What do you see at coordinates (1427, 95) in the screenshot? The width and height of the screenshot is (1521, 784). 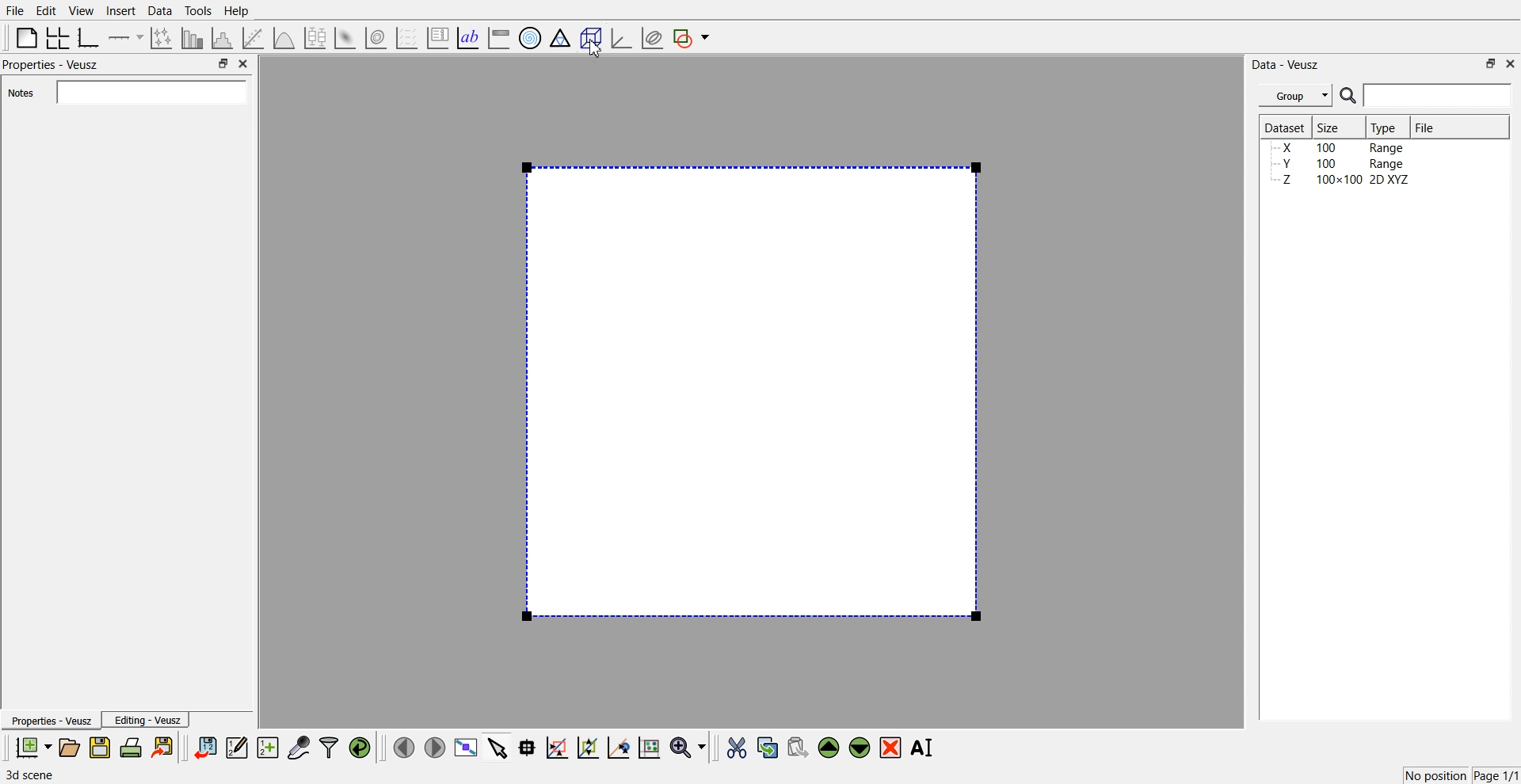 I see `Search Bar` at bounding box center [1427, 95].